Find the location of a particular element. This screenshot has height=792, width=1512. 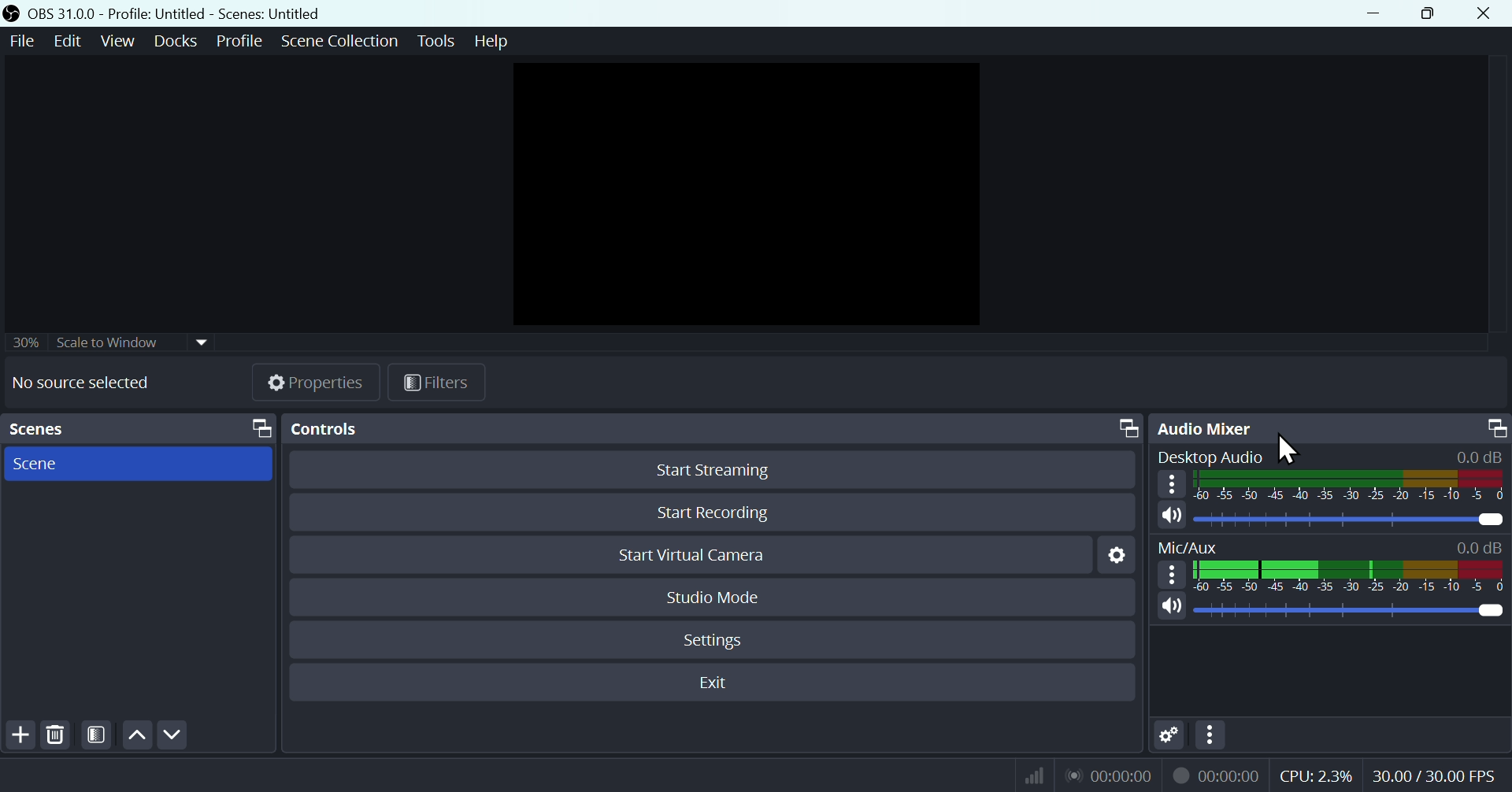

Add is located at coordinates (16, 735).